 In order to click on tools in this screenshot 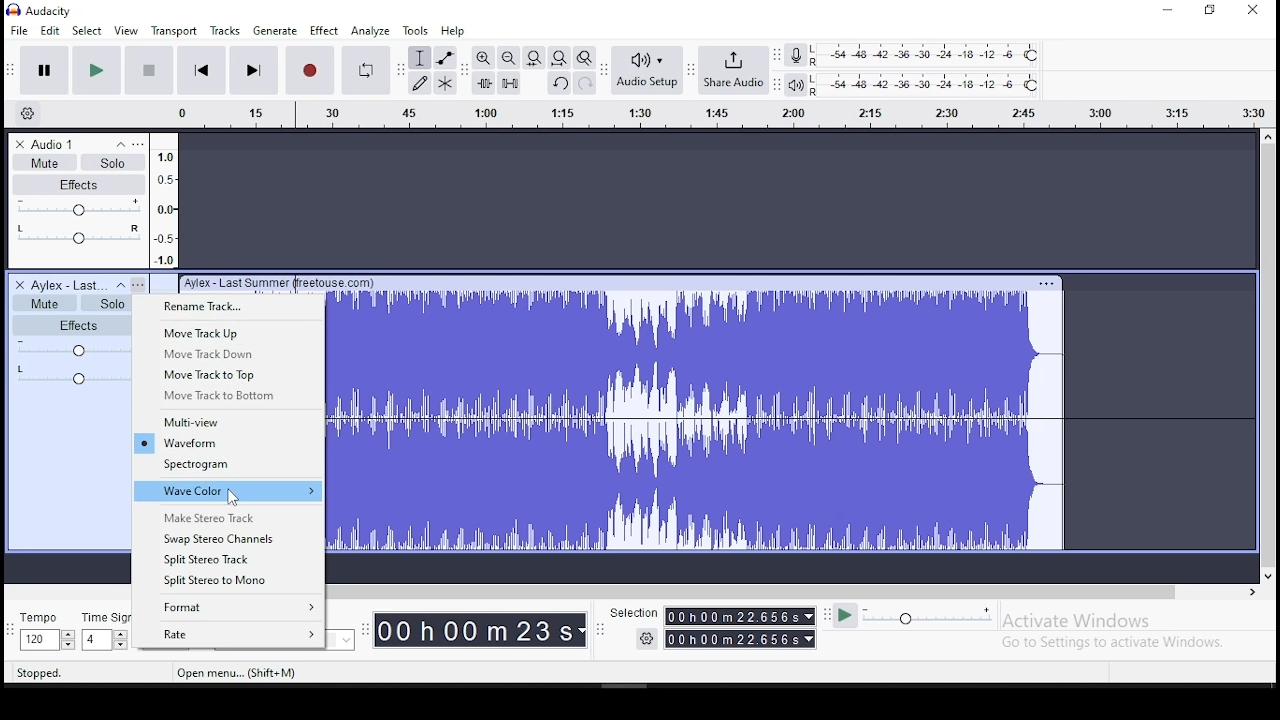, I will do `click(415, 31)`.